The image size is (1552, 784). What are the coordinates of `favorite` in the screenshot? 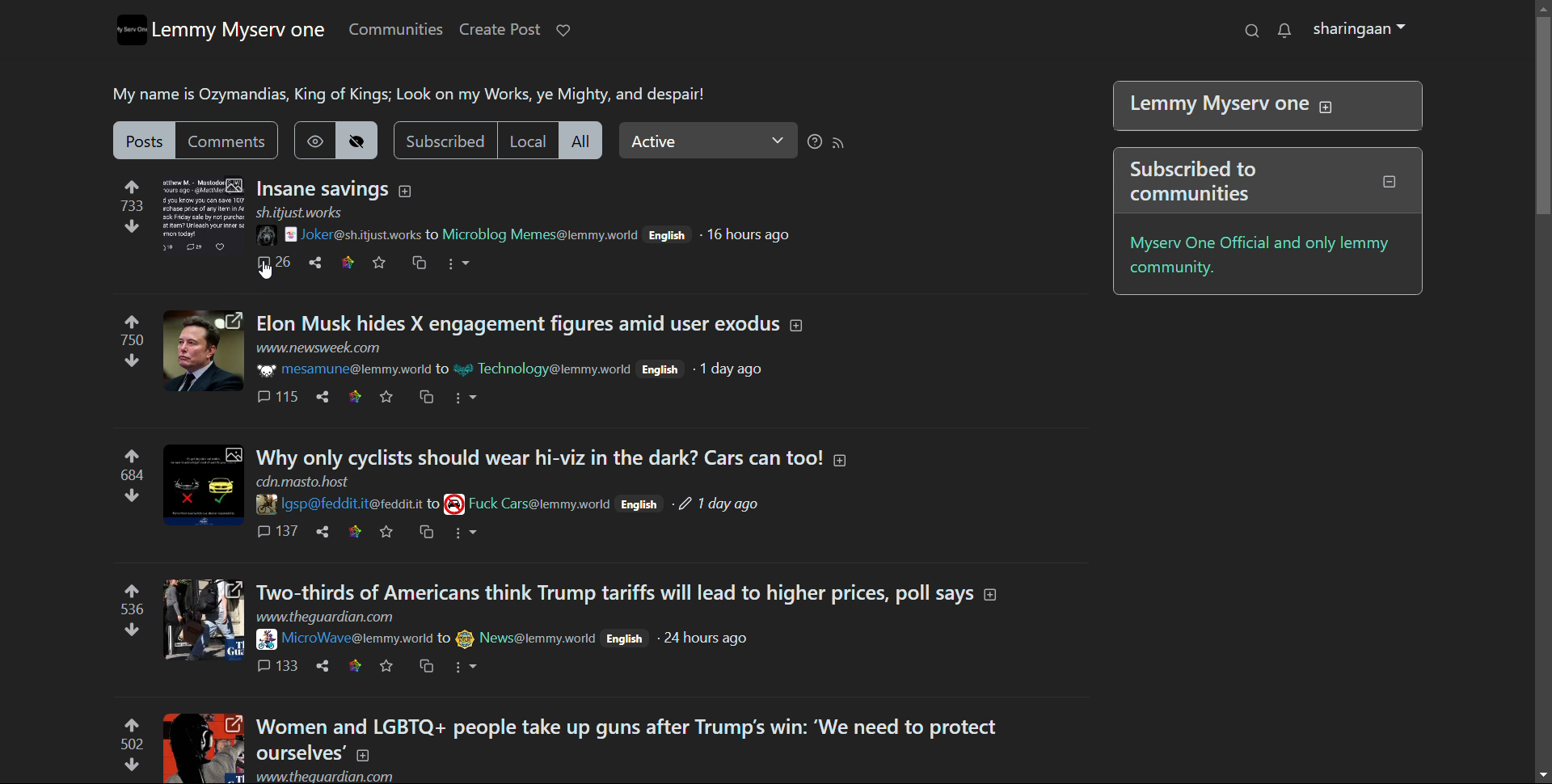 It's located at (385, 667).